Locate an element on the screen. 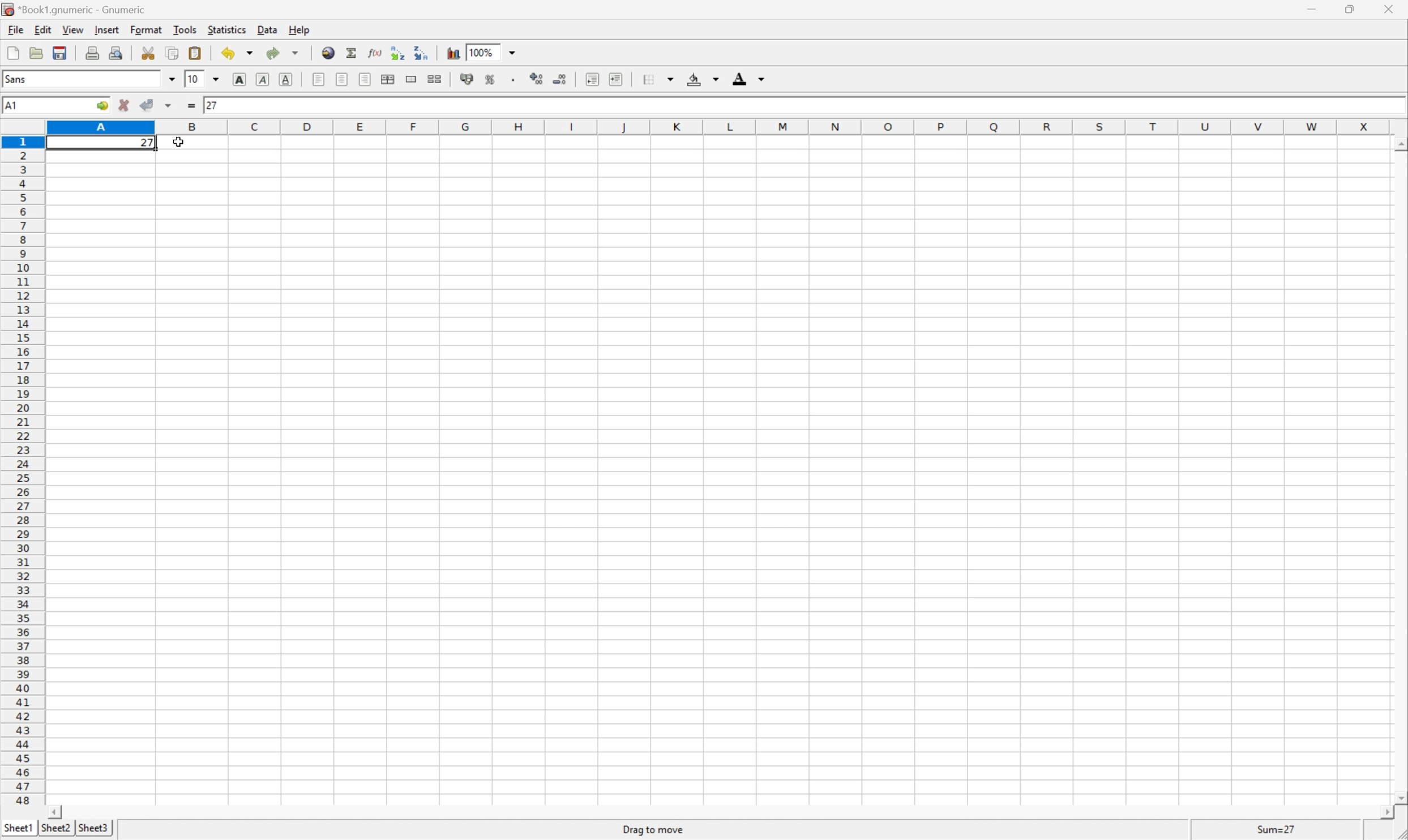 Image resolution: width=1408 pixels, height=840 pixels. 27 is located at coordinates (212, 104).